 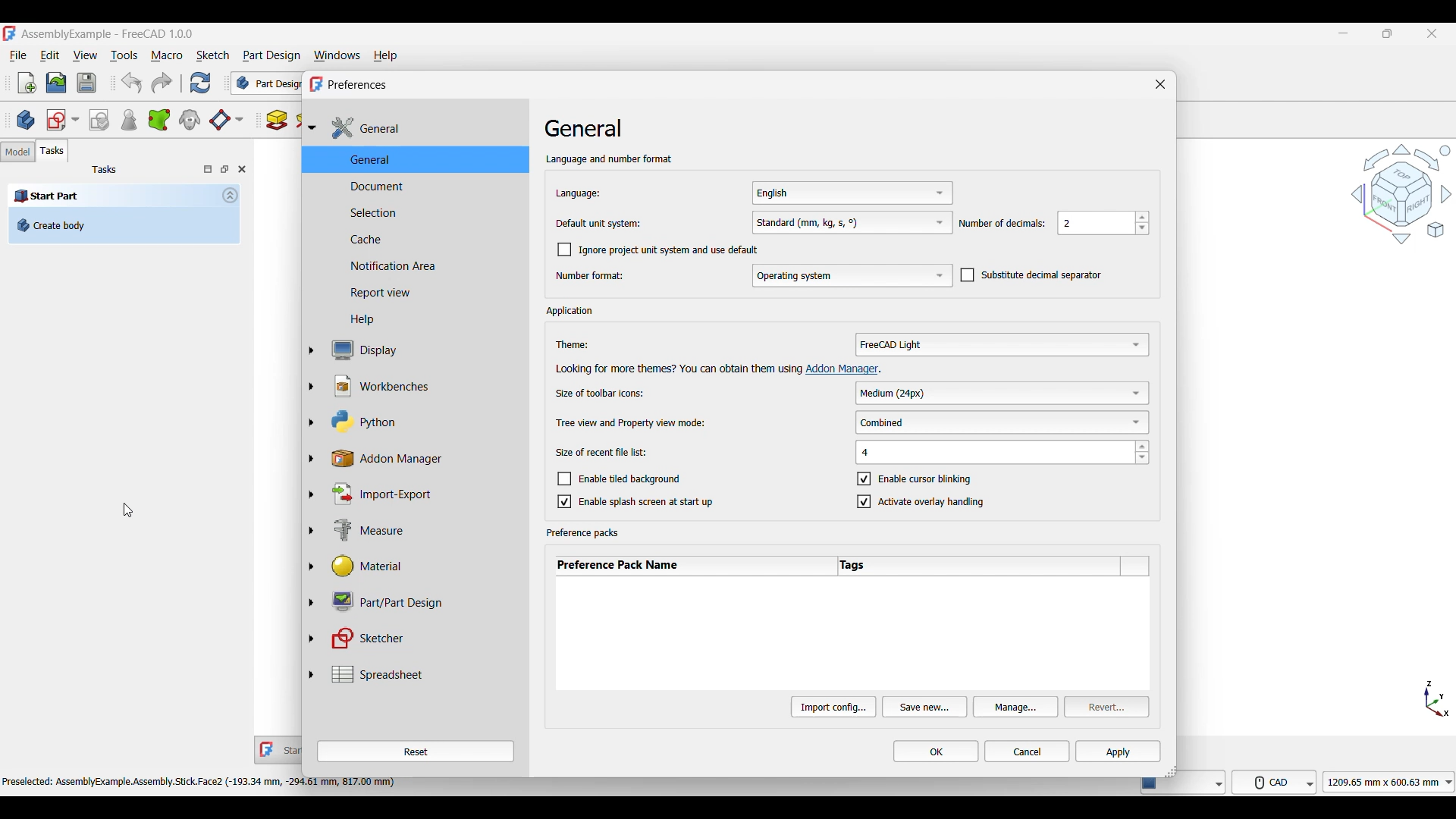 I want to click on Selection, so click(x=422, y=212).